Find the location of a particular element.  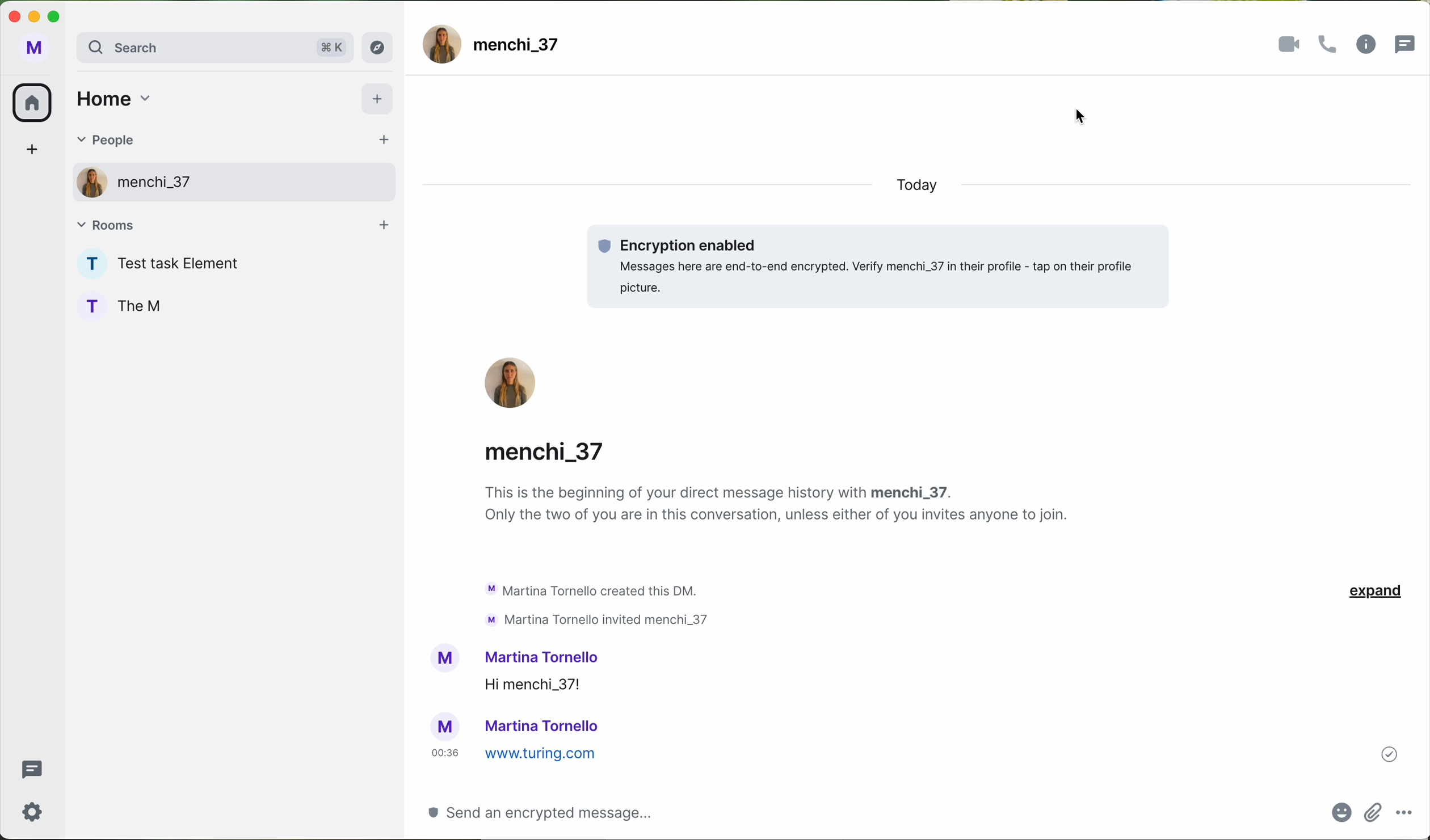

call is located at coordinates (1331, 45).